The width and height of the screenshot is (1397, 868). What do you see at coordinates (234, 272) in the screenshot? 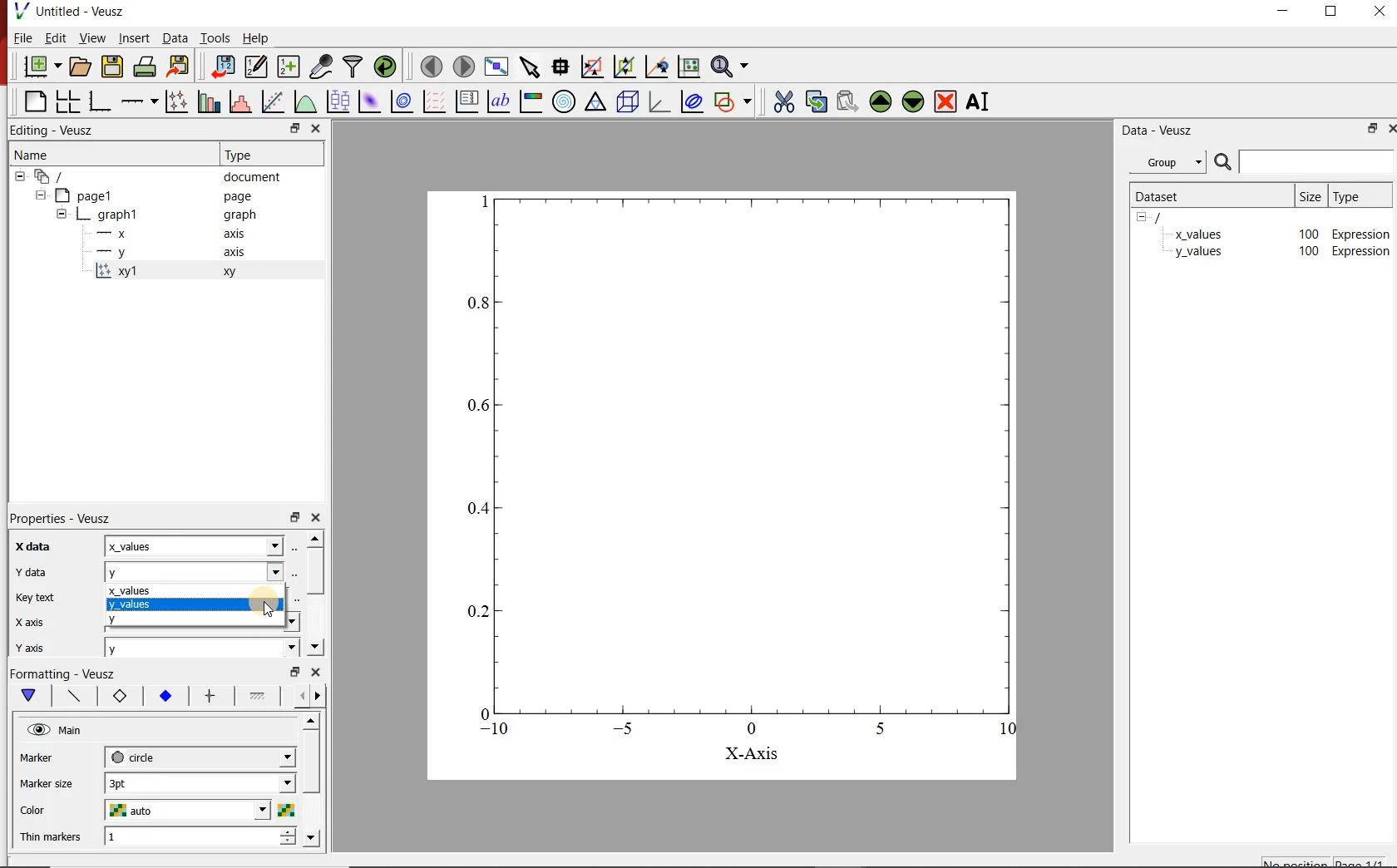
I see `xy` at bounding box center [234, 272].